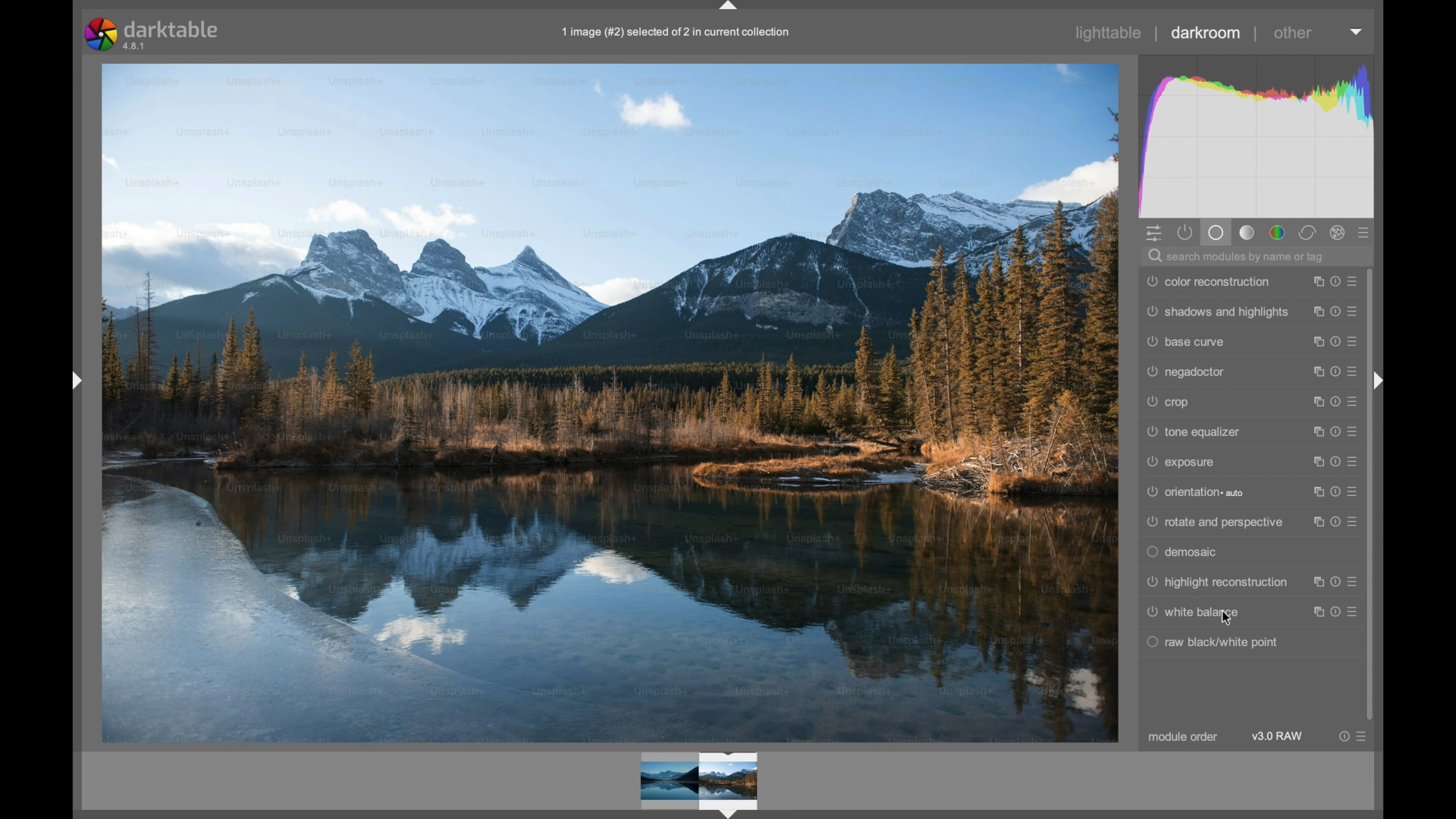 The height and width of the screenshot is (819, 1456). I want to click on crop, so click(1169, 402).